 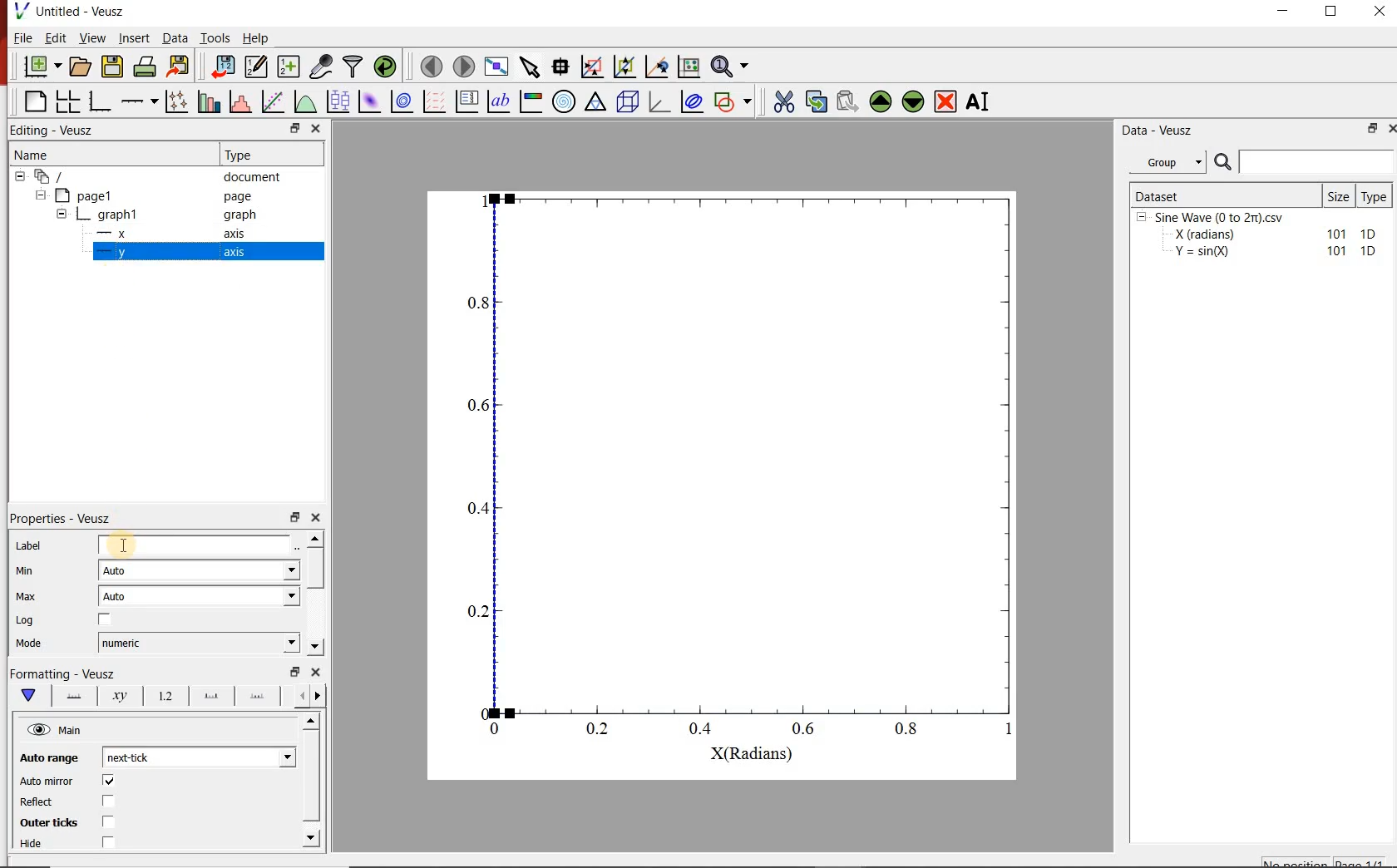 What do you see at coordinates (29, 545) in the screenshot?
I see `Label` at bounding box center [29, 545].